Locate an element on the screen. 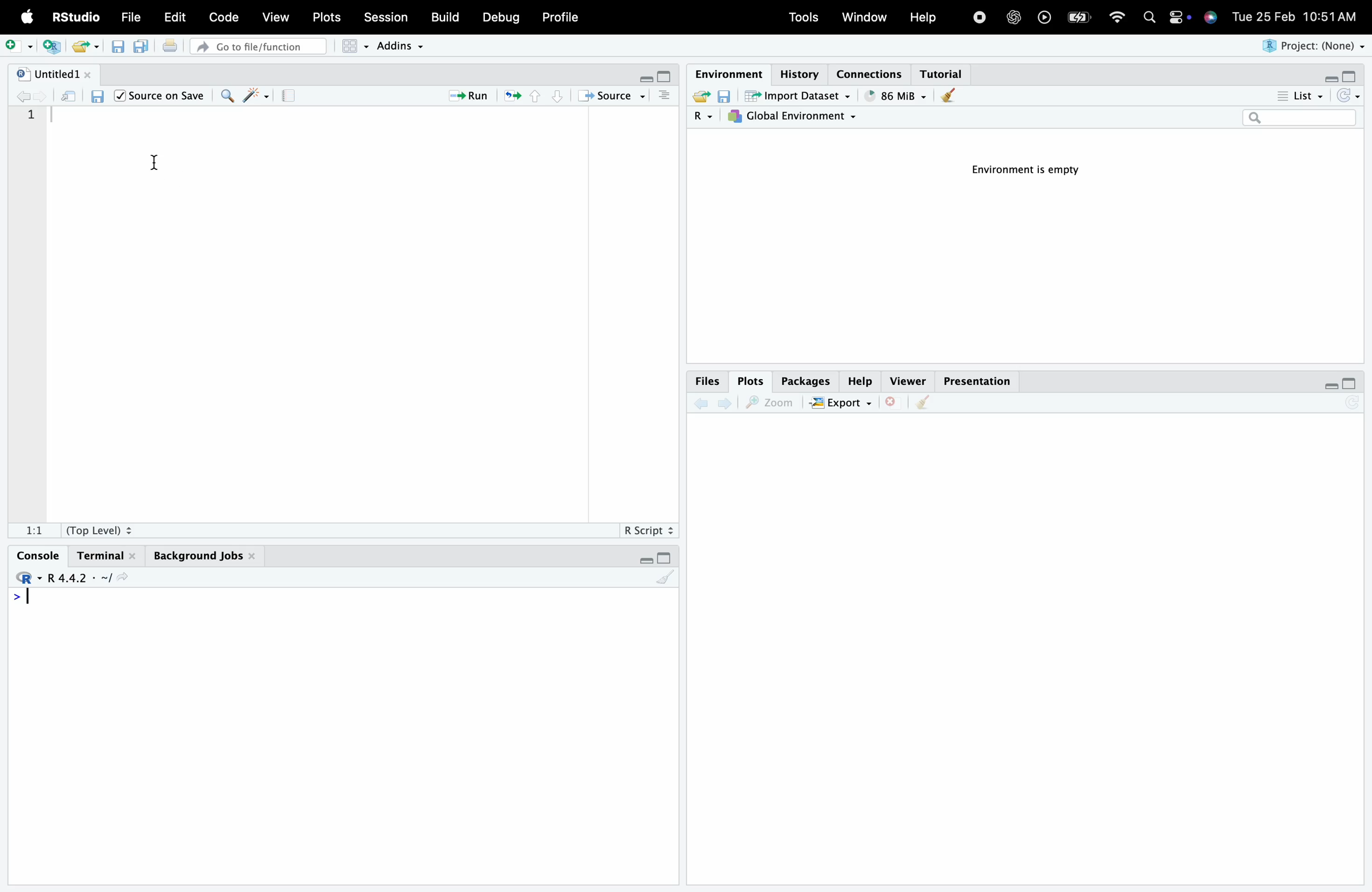 The image size is (1372, 892). refresh is located at coordinates (511, 97).